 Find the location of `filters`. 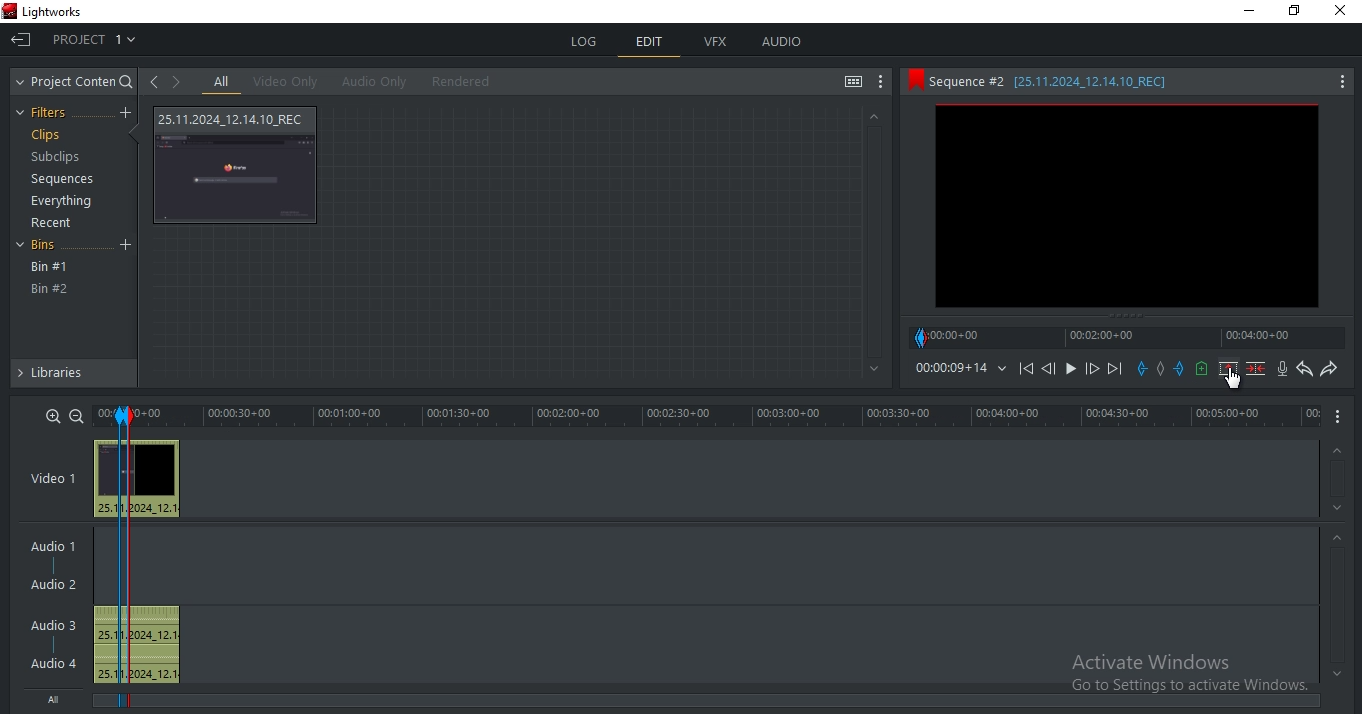

filters is located at coordinates (47, 113).